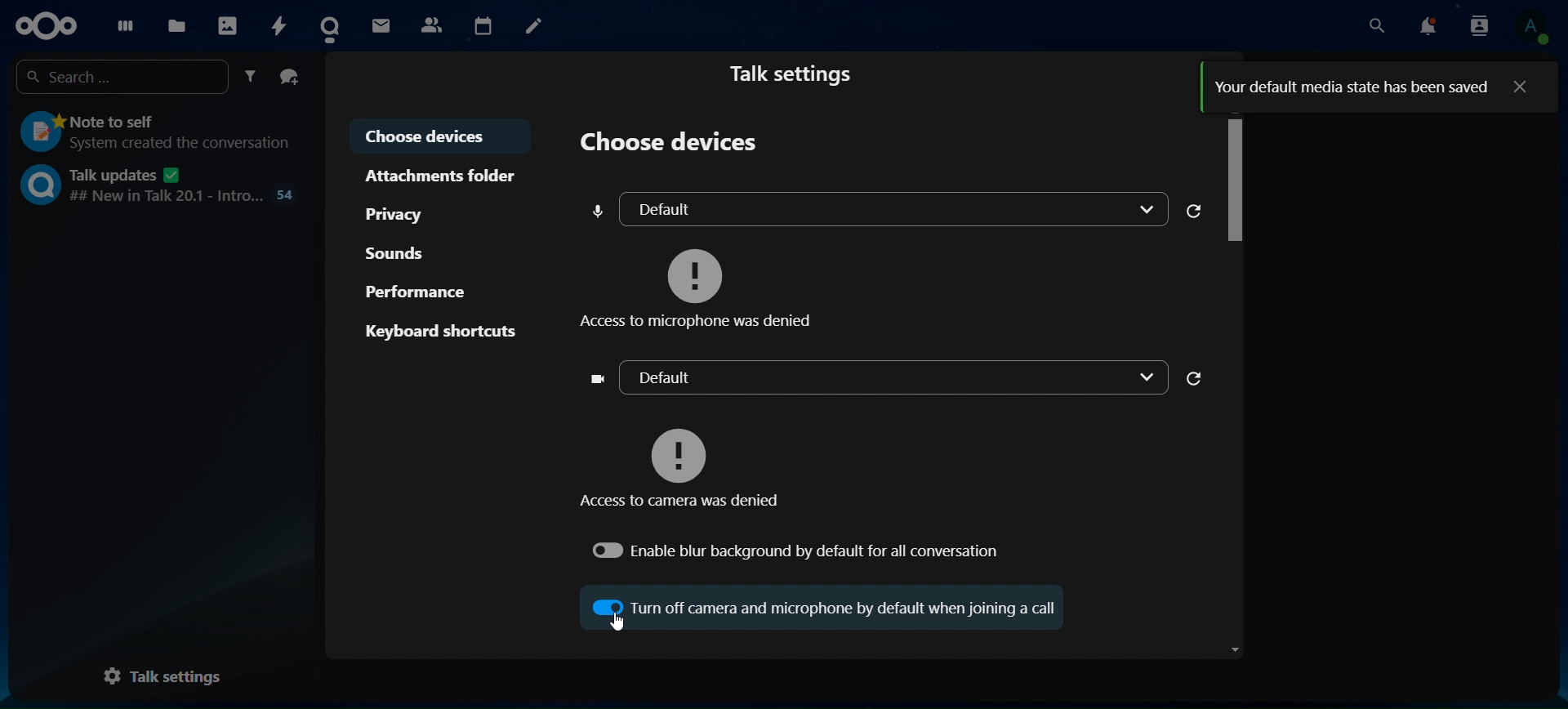  Describe the element at coordinates (155, 186) in the screenshot. I see `talk updates` at that location.